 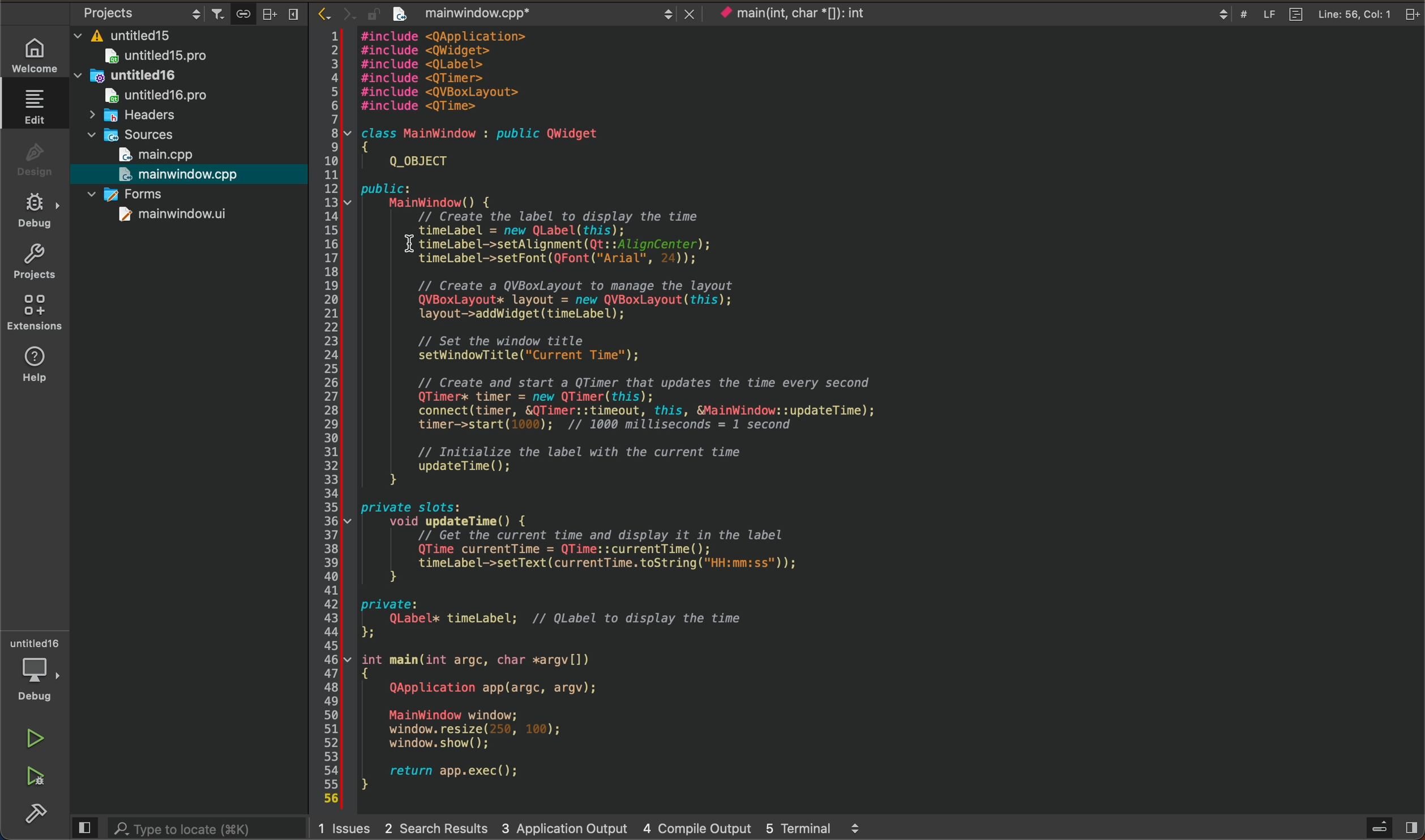 What do you see at coordinates (614, 303) in the screenshot?
I see `a

8 v class MainWindow : public QWidget

9 {

10 Q_OBJECT

11

12 public:

13 v MainWindow() {

14 // Create the label to display the time

15 timeLabel = new QLabel(this);

16 X timeLabel->setAlignment(Qt::AlignCenter);

17 timeLabel->setFont (QFont("Arial", 24));

18

19 // Create a QVBoxLayout to manage the layout

20 QVBoxLayout* layout = new QVBoxLayout (this);

21 layout->addwidget(timeLabel) ;

22

23 // Set the window title

24 setWindowTitle("Current Time");

25

26 // Create and start a QTimer that updates the time every second
27 QTimerx timer = new QTimer(this);

28 connect (timer, &QTimer::timeout, this, &MainWindow::updateTime);
29 timer->start(1000); // 1000 milliseconds = 1 second
30

31 // Initialize the label with the current time

32 updateTime();

33 }` at bounding box center [614, 303].